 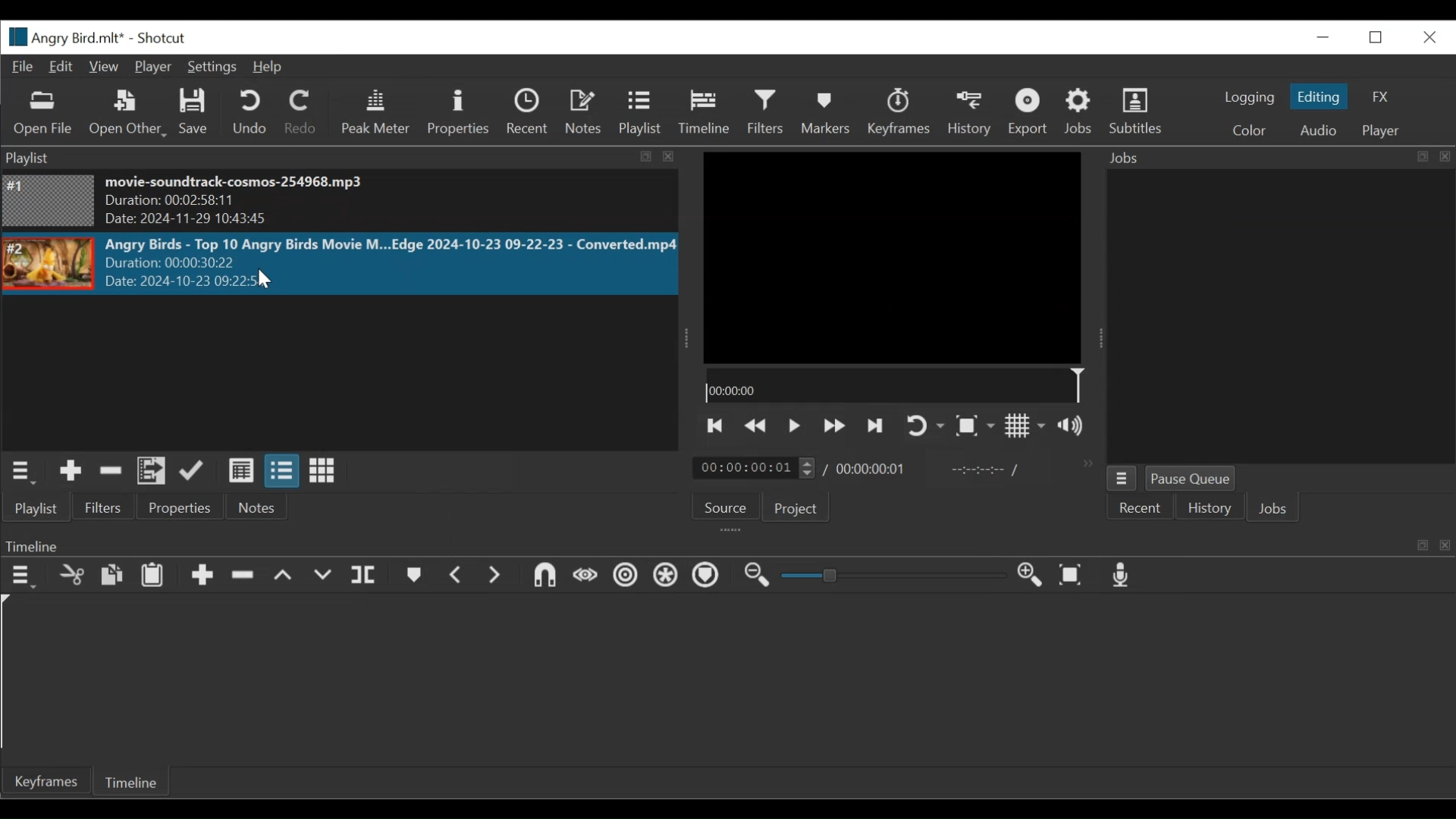 I want to click on Ripple all tracks, so click(x=667, y=578).